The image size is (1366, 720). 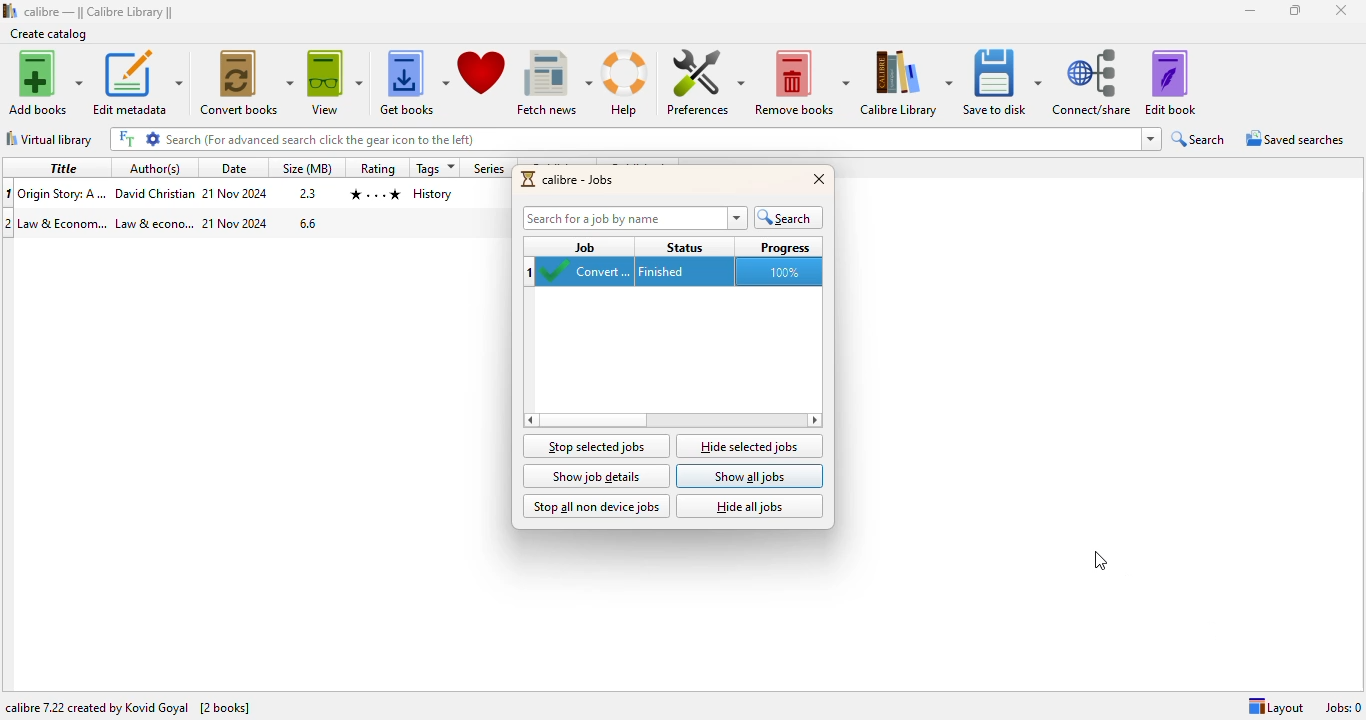 I want to click on size in mbs, so click(x=306, y=194).